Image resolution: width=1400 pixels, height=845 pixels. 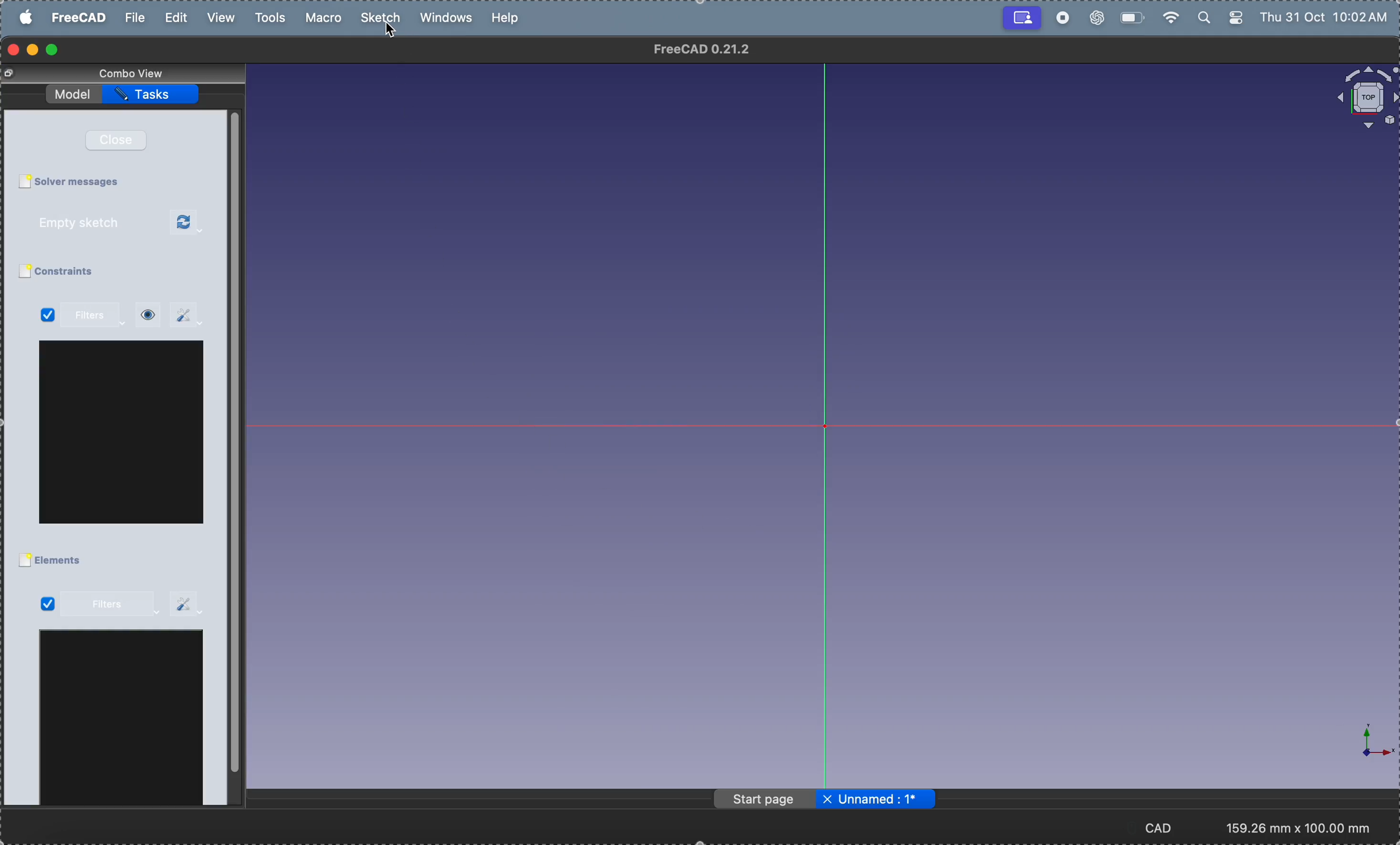 What do you see at coordinates (135, 73) in the screenshot?
I see `combo view` at bounding box center [135, 73].